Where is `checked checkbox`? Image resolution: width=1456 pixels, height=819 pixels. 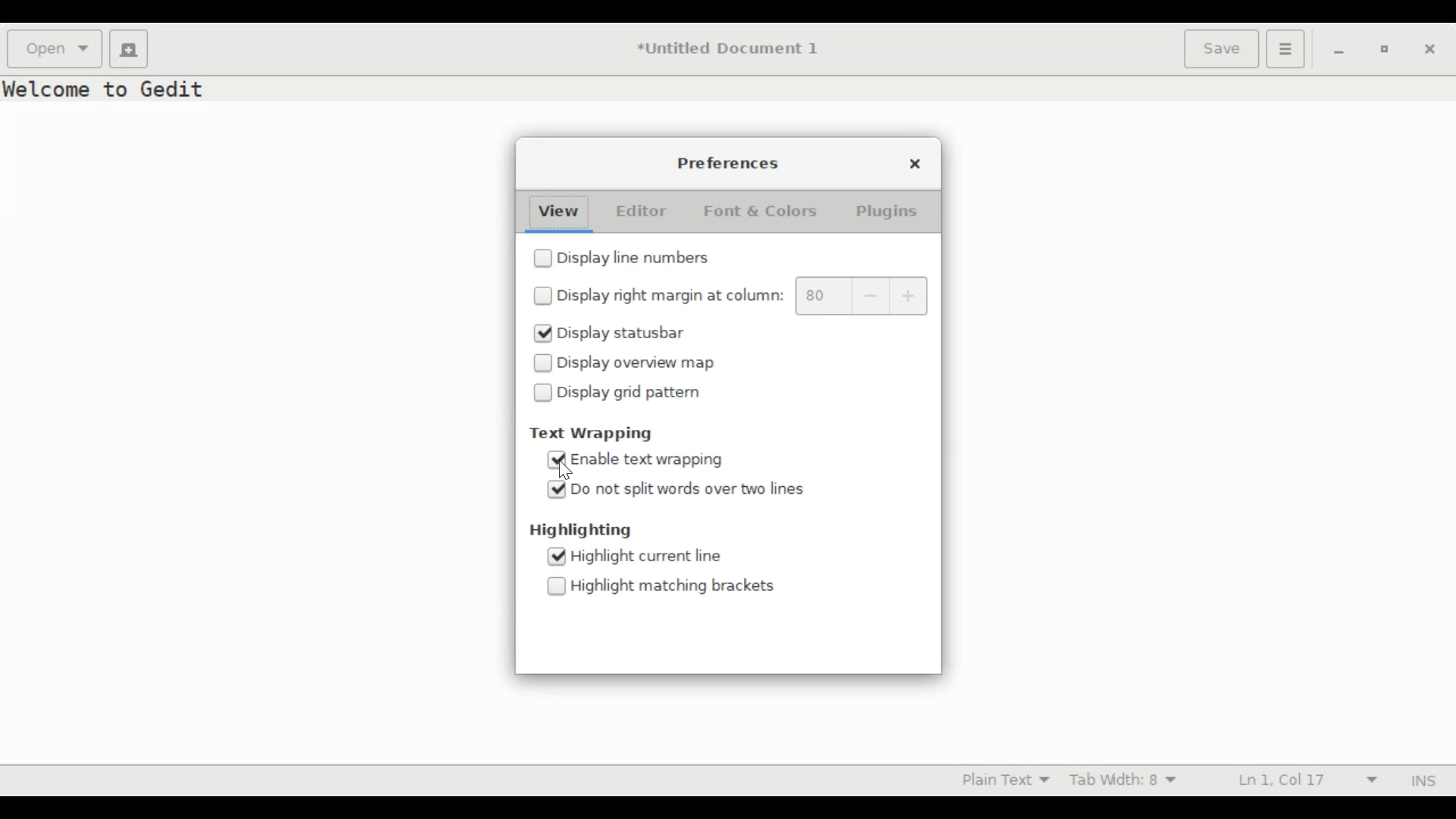
checked checkbox is located at coordinates (556, 557).